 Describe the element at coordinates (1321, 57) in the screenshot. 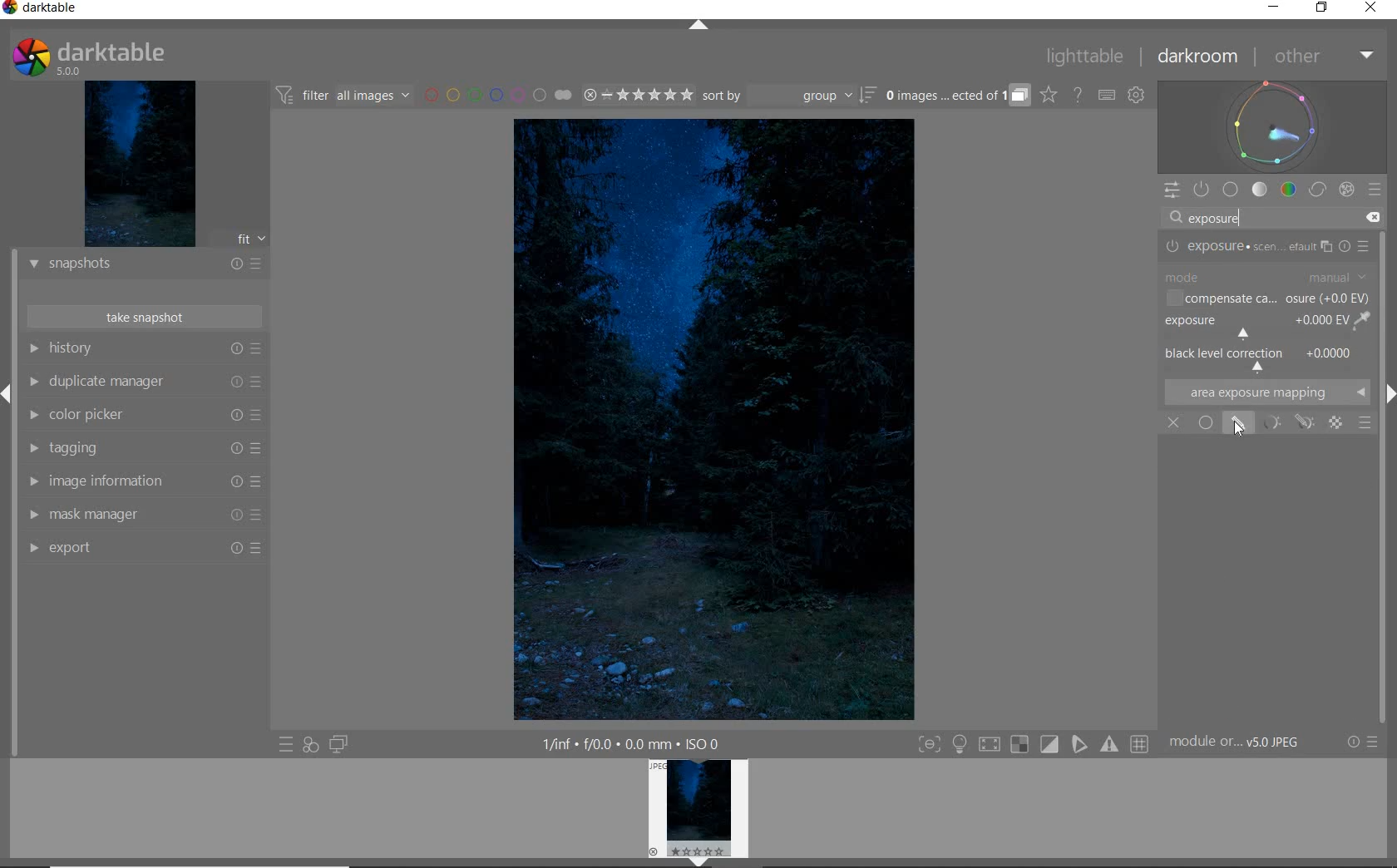

I see `OTHER` at that location.